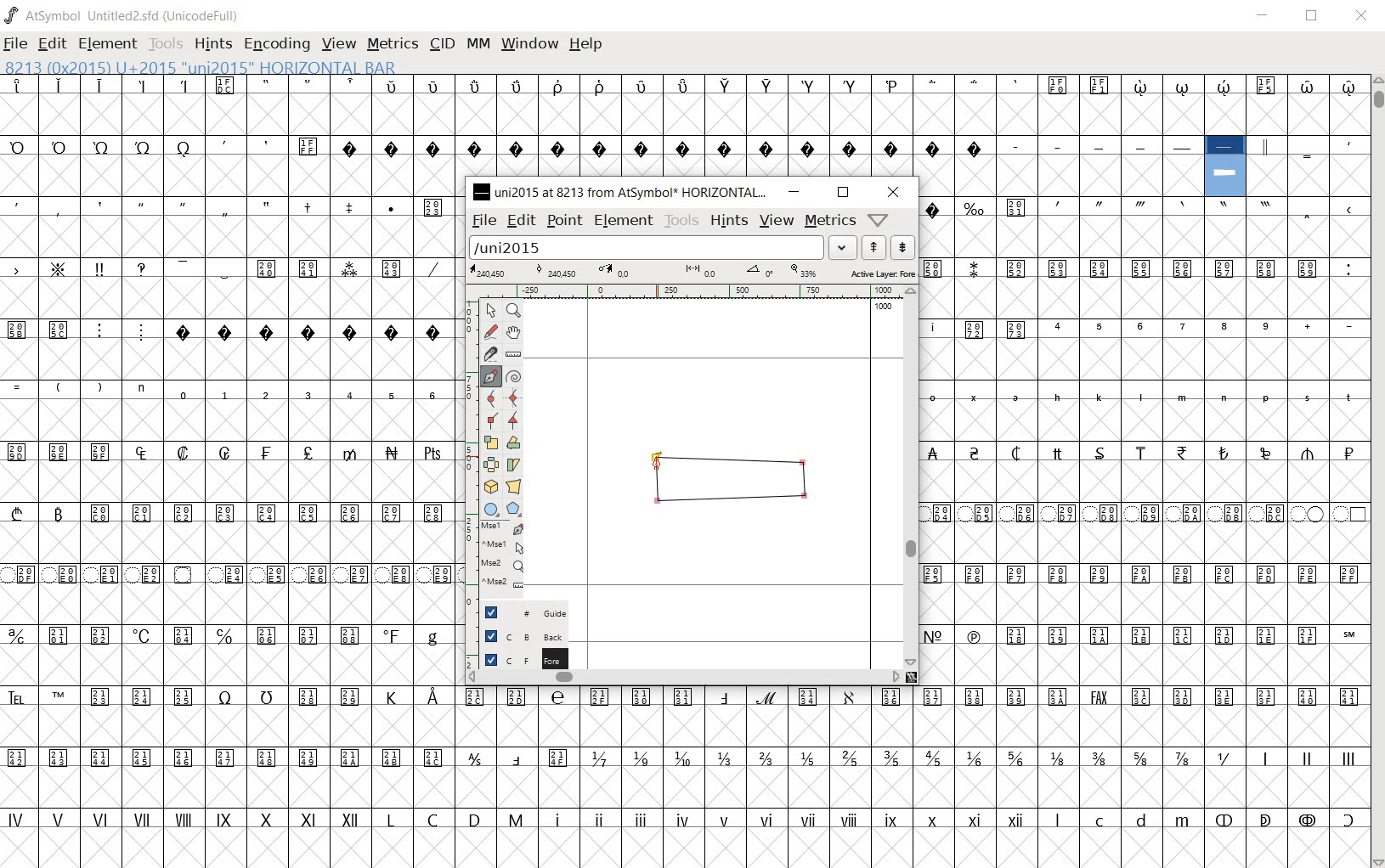  What do you see at coordinates (721, 482) in the screenshot?
I see `horizontal bar glyph added` at bounding box center [721, 482].